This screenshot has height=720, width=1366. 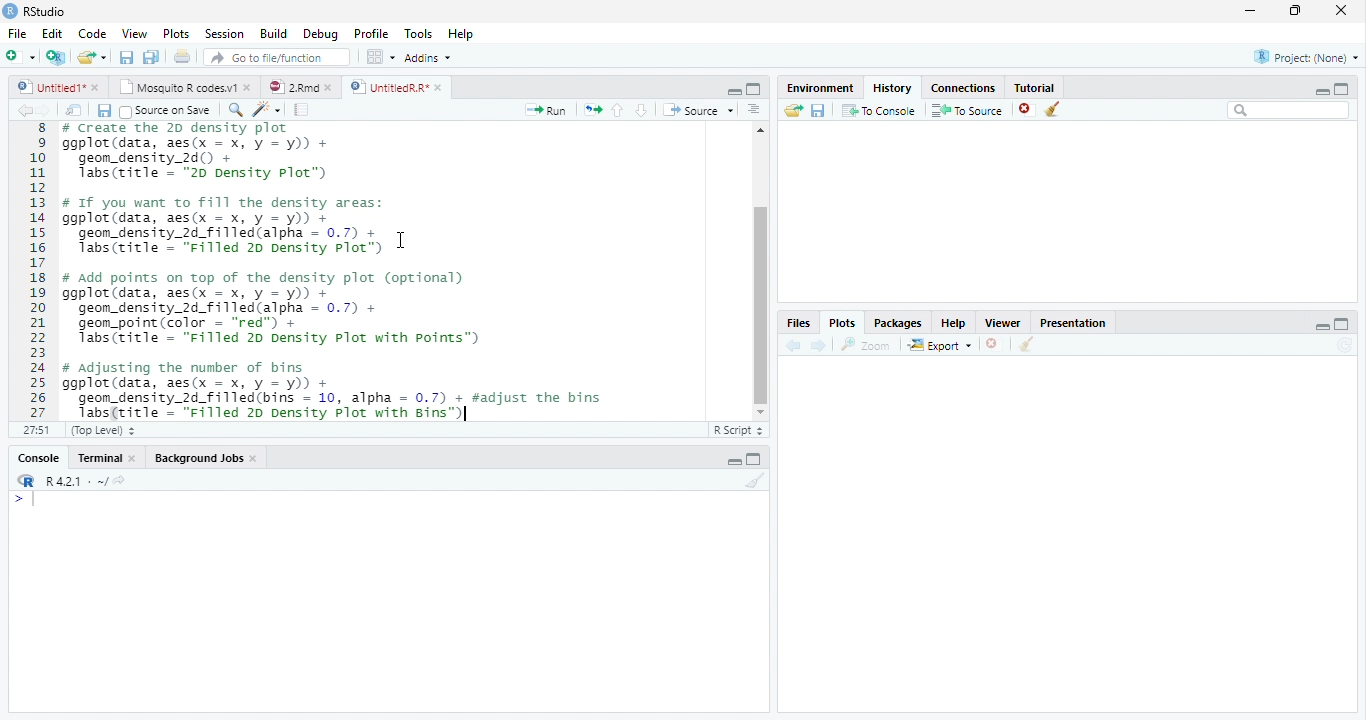 What do you see at coordinates (791, 111) in the screenshot?
I see `Load workspace` at bounding box center [791, 111].